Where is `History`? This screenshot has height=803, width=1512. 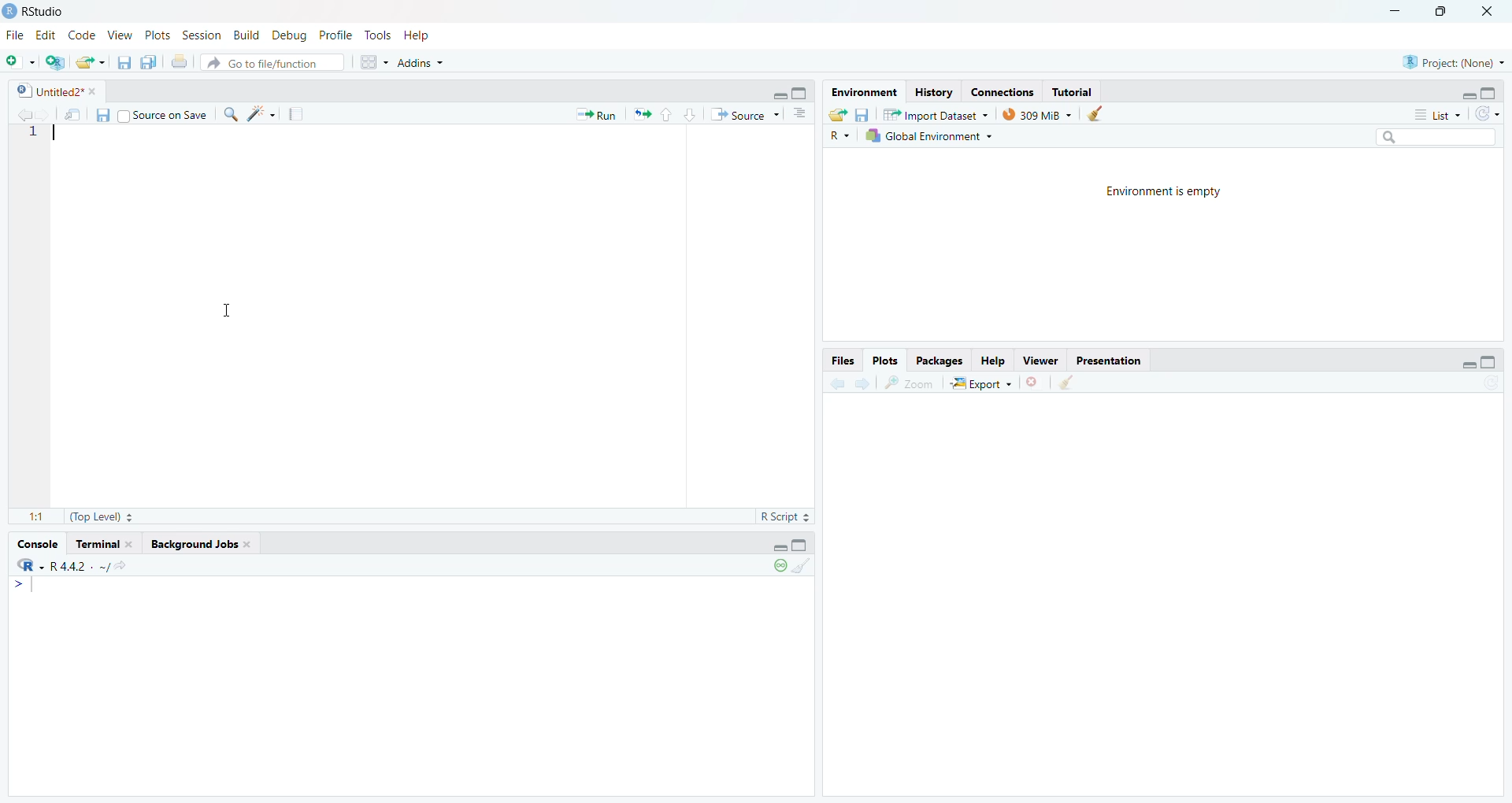 History is located at coordinates (936, 92).